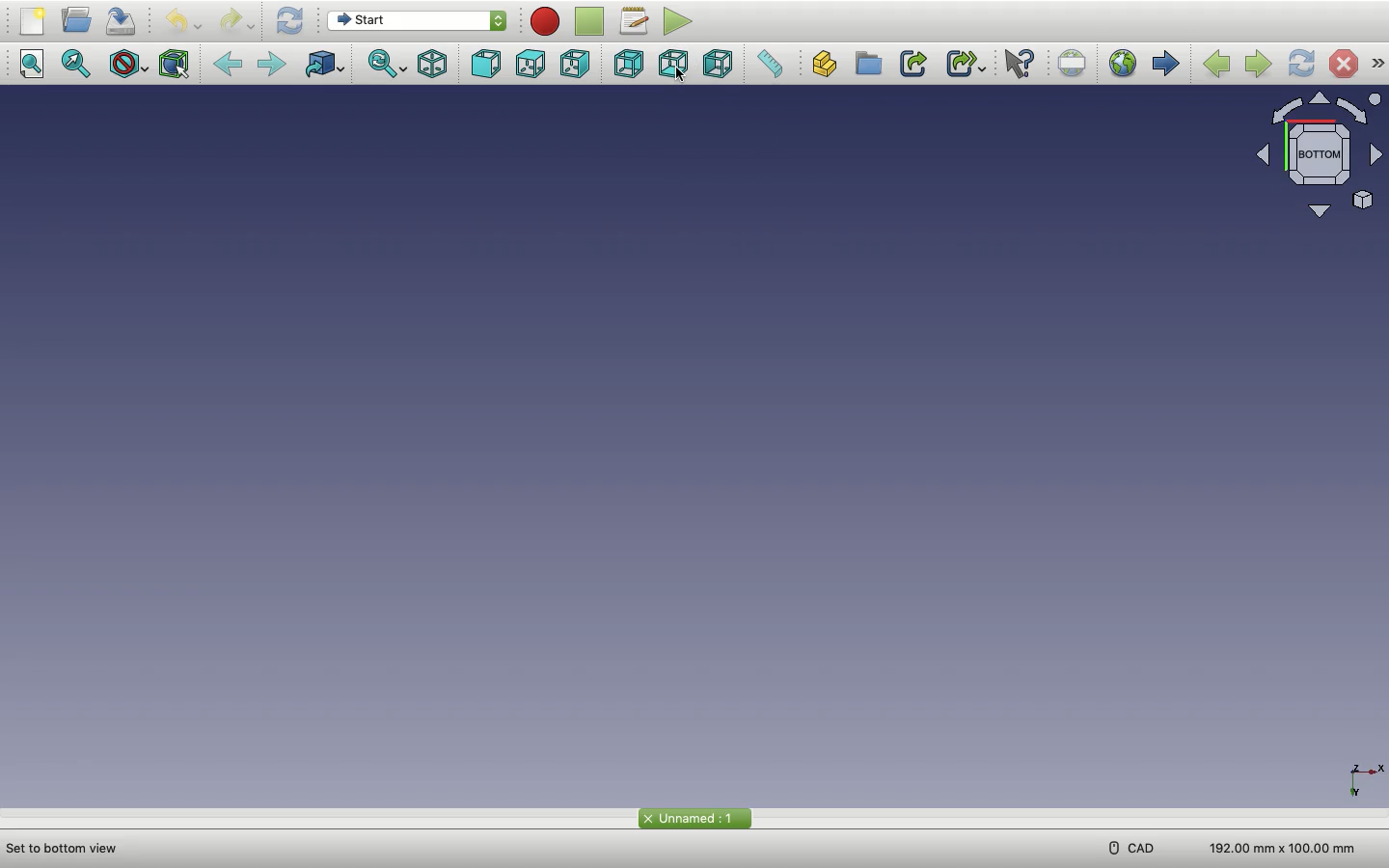 This screenshot has width=1389, height=868. Describe the element at coordinates (1166, 65) in the screenshot. I see `Start page` at that location.